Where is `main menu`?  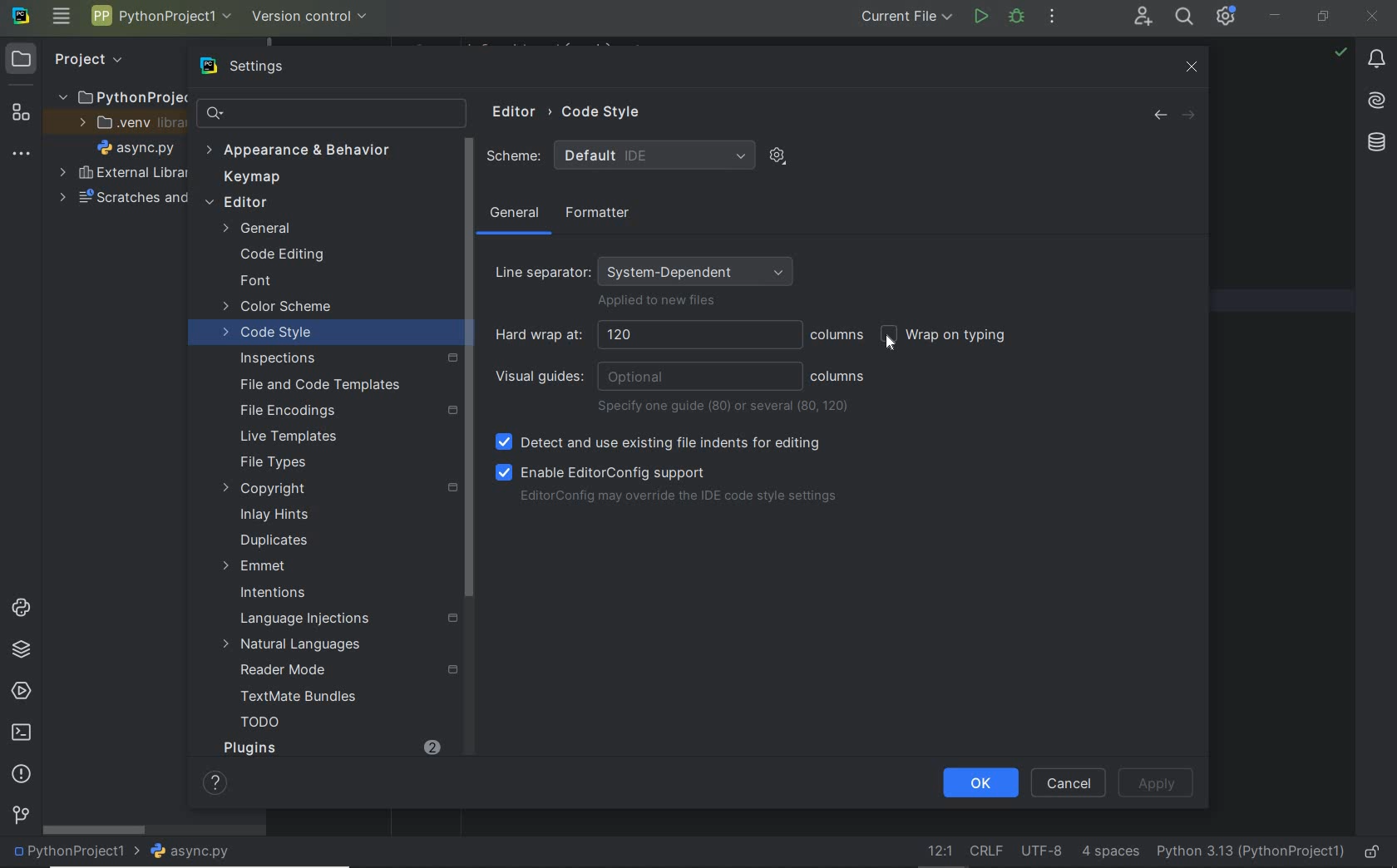 main menu is located at coordinates (62, 18).